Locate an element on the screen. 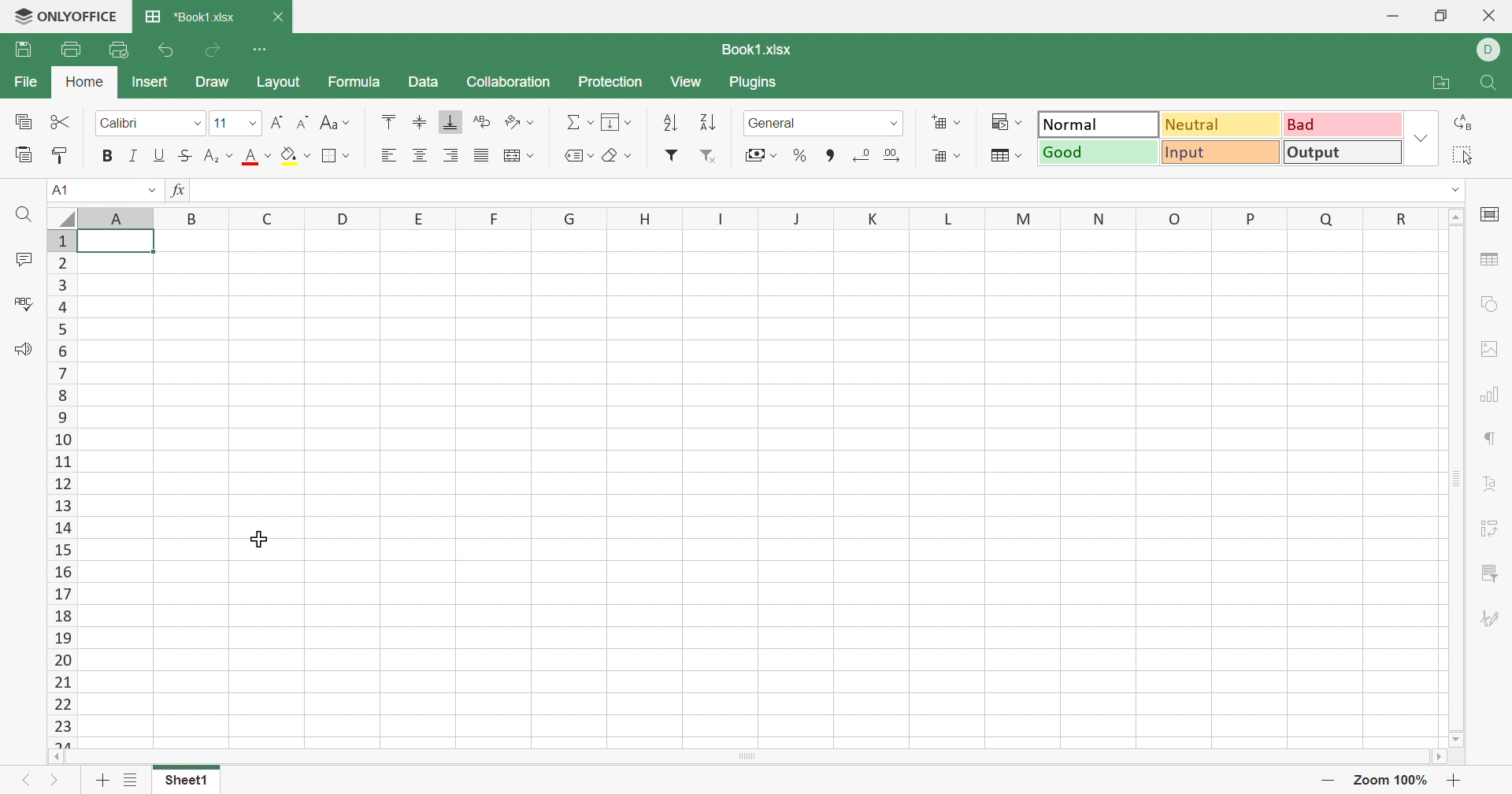 The height and width of the screenshot is (794, 1512). Scroll Bar is located at coordinates (1458, 480).